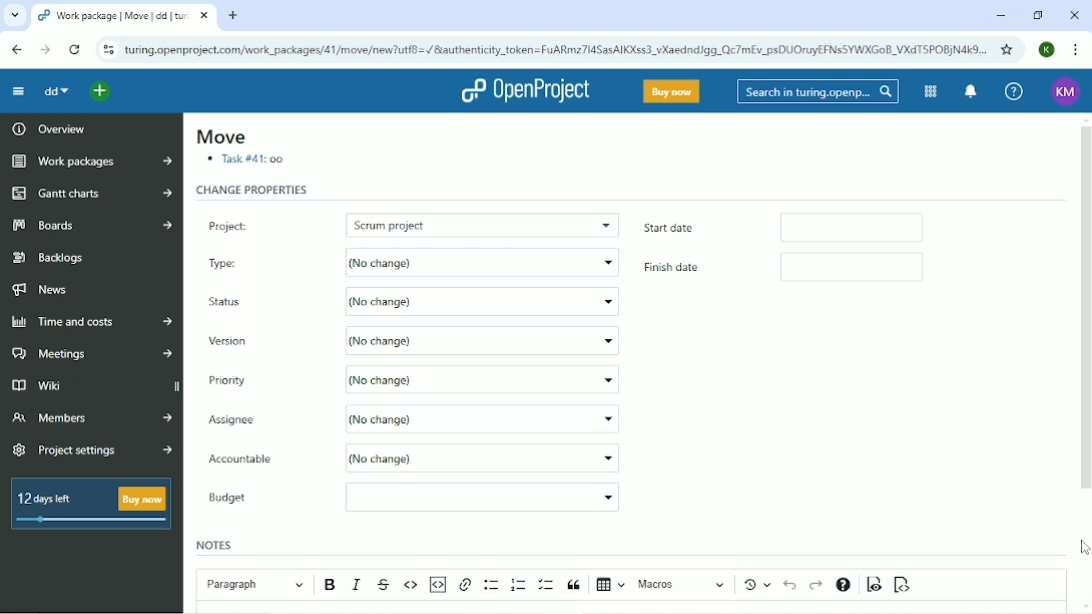 The width and height of the screenshot is (1092, 614). Describe the element at coordinates (230, 303) in the screenshot. I see `Status` at that location.